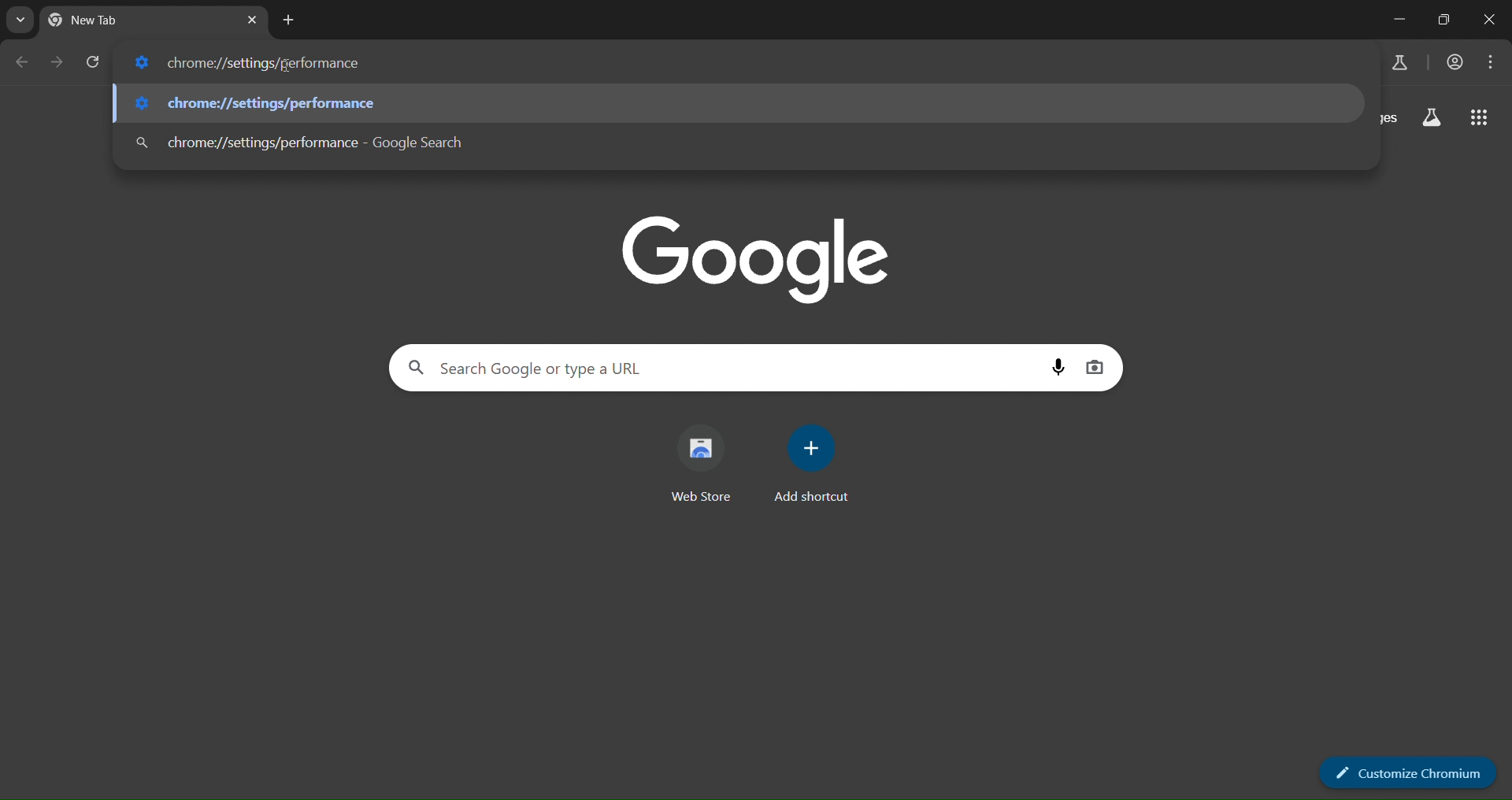  What do you see at coordinates (60, 62) in the screenshot?
I see `go forward one page` at bounding box center [60, 62].